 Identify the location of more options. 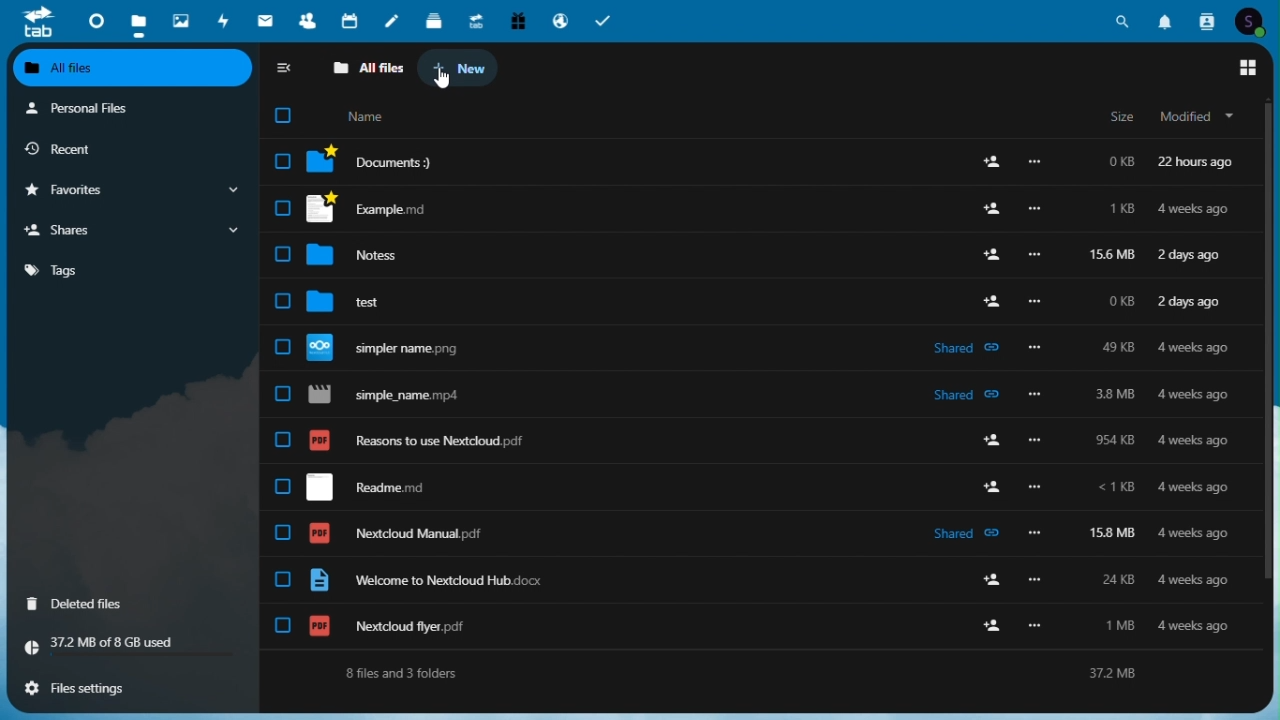
(1038, 627).